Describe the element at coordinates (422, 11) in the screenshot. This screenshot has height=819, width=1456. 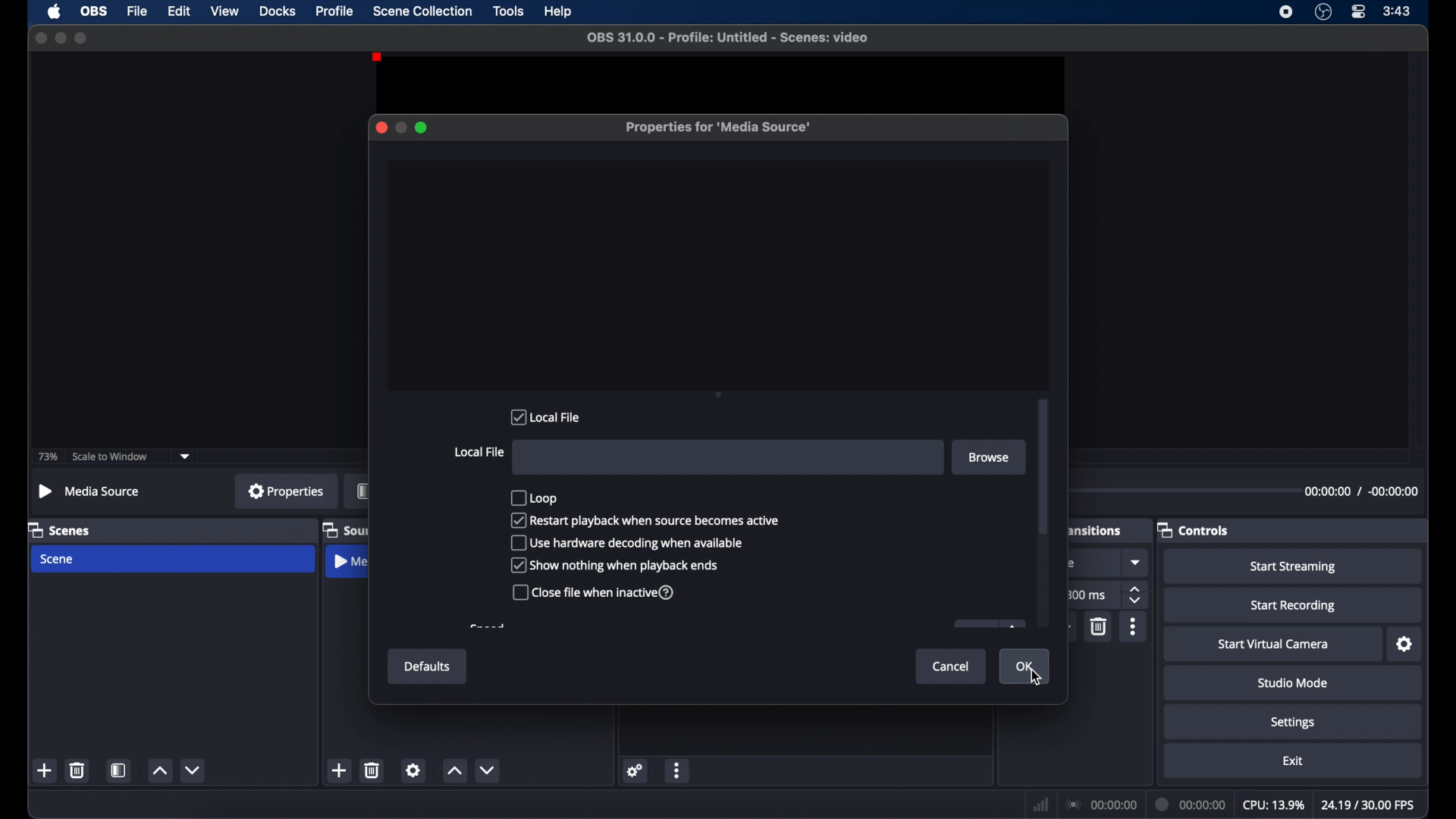
I see `scene collection` at that location.